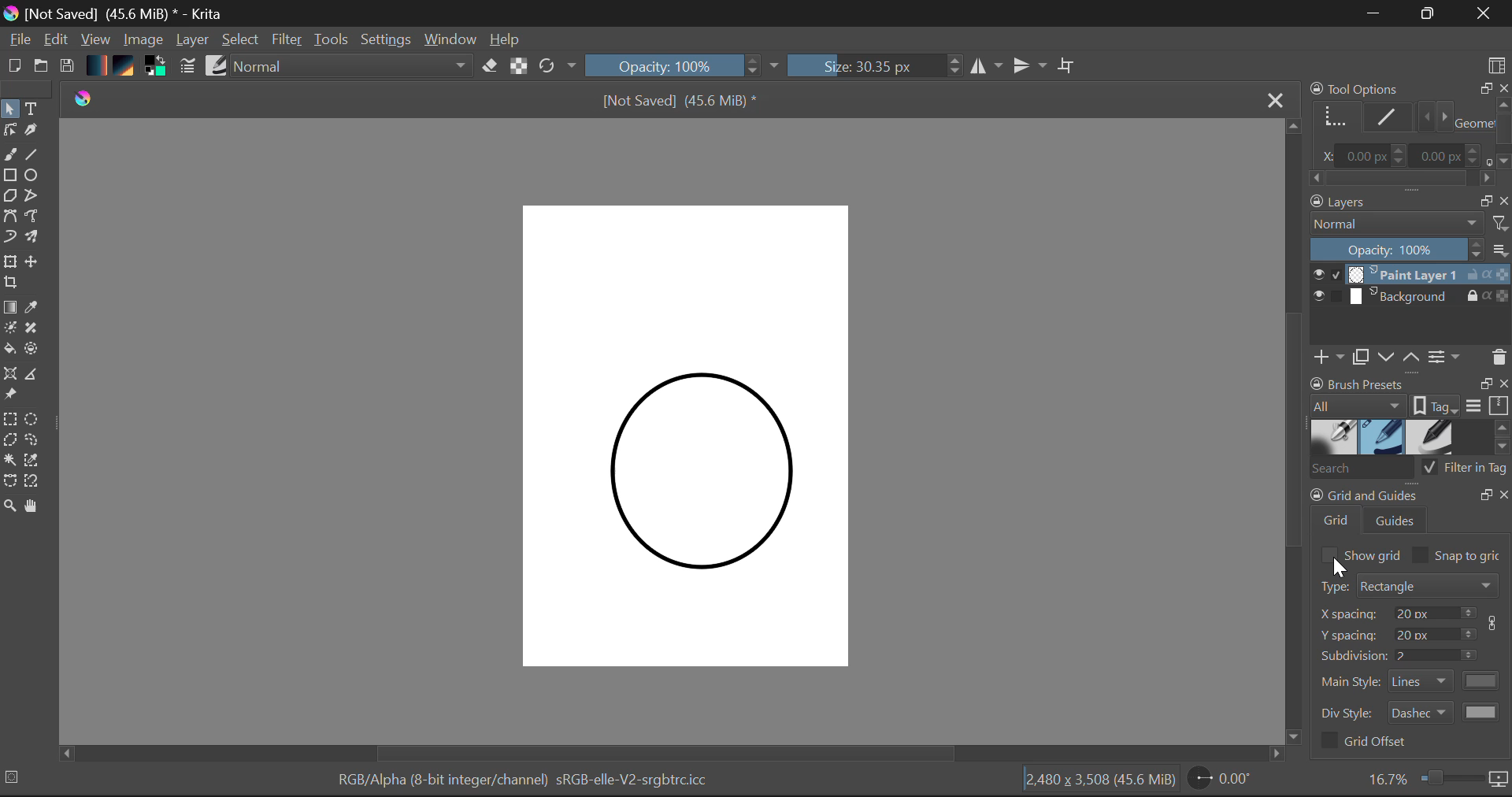 This screenshot has width=1512, height=797. I want to click on Continuous Selection, so click(9, 462).